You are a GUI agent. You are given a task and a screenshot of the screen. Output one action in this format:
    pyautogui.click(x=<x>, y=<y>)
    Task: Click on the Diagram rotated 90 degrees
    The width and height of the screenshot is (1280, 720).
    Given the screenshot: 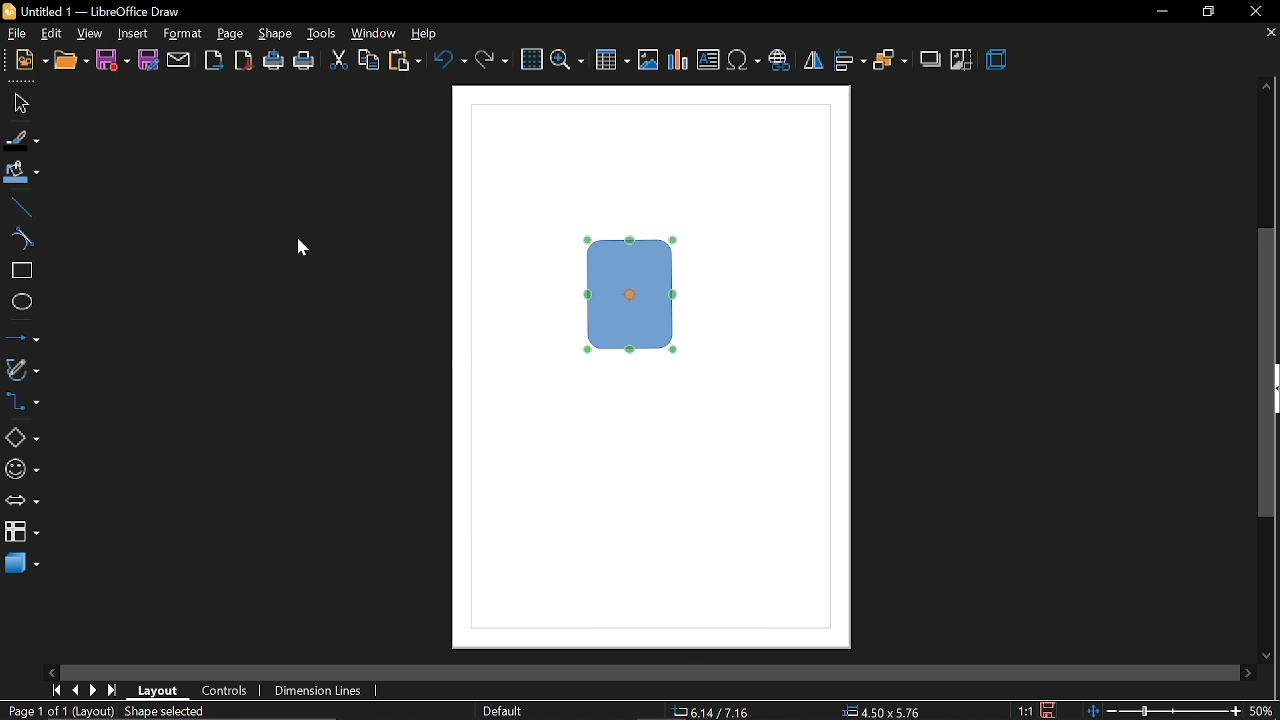 What is the action you would take?
    pyautogui.click(x=632, y=295)
    